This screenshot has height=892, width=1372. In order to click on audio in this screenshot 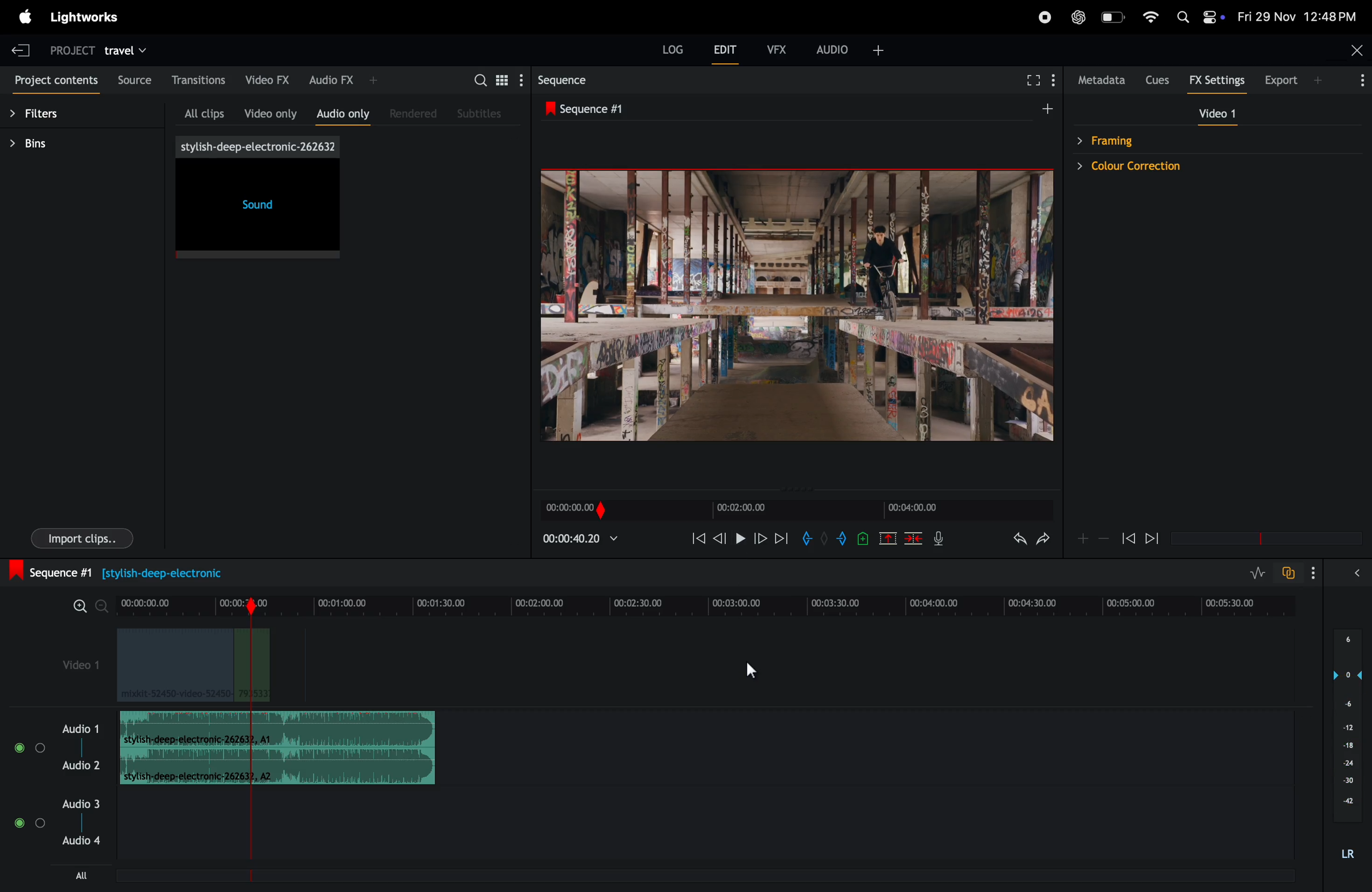, I will do `click(858, 49)`.